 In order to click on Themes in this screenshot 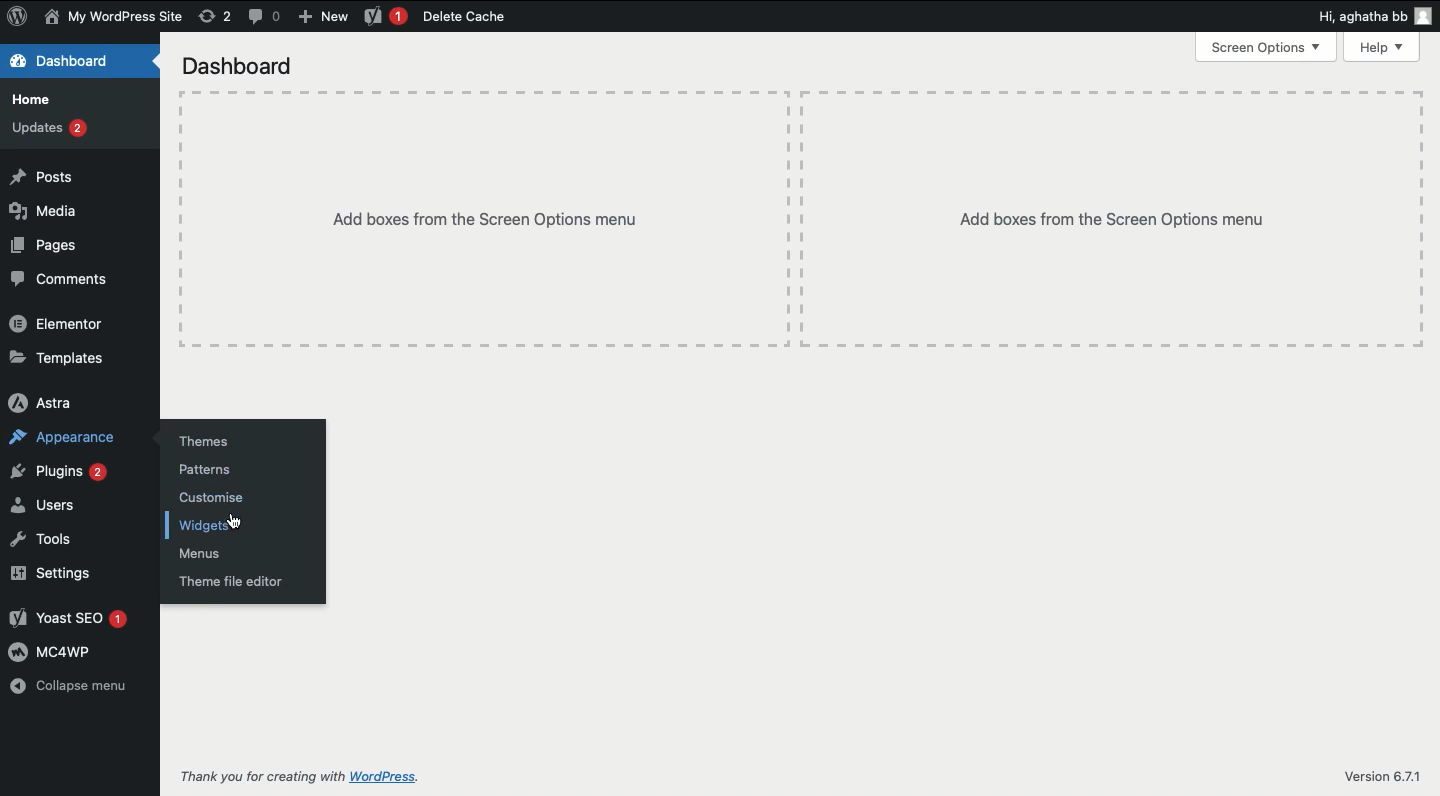, I will do `click(211, 434)`.